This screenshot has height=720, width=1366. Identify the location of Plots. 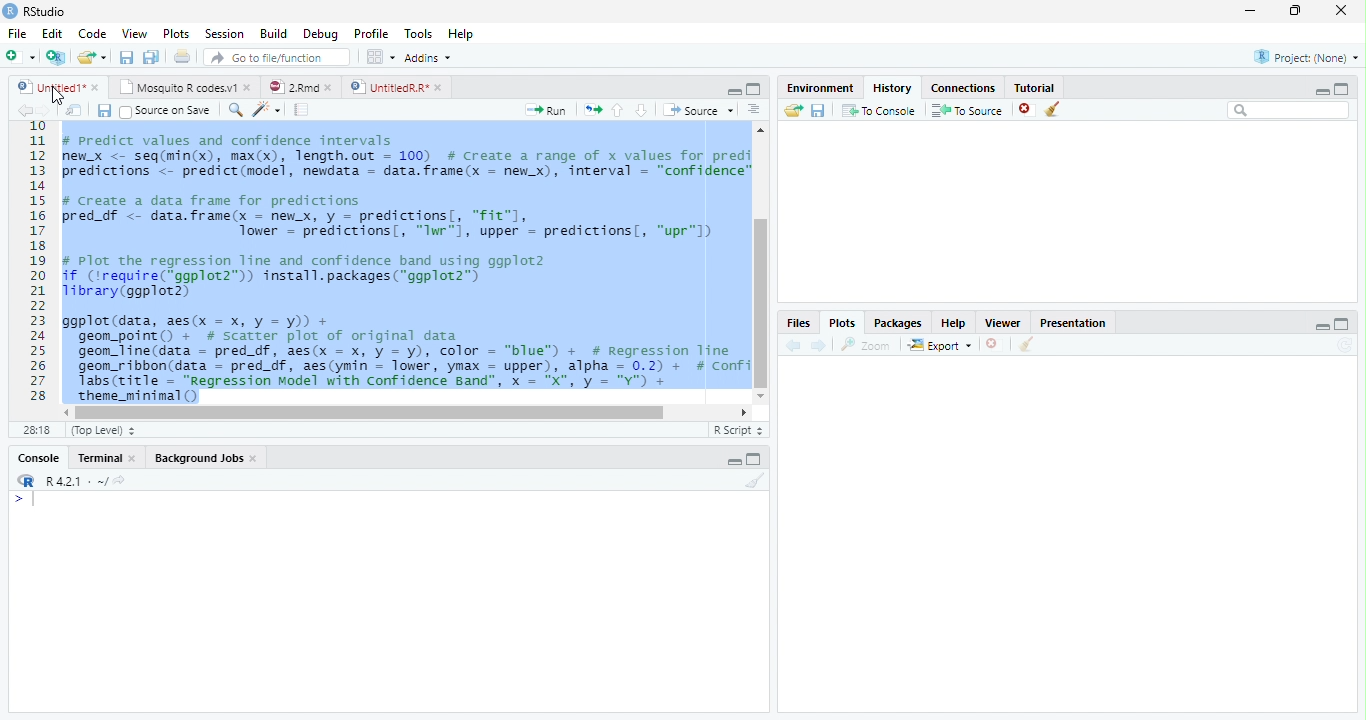
(178, 32).